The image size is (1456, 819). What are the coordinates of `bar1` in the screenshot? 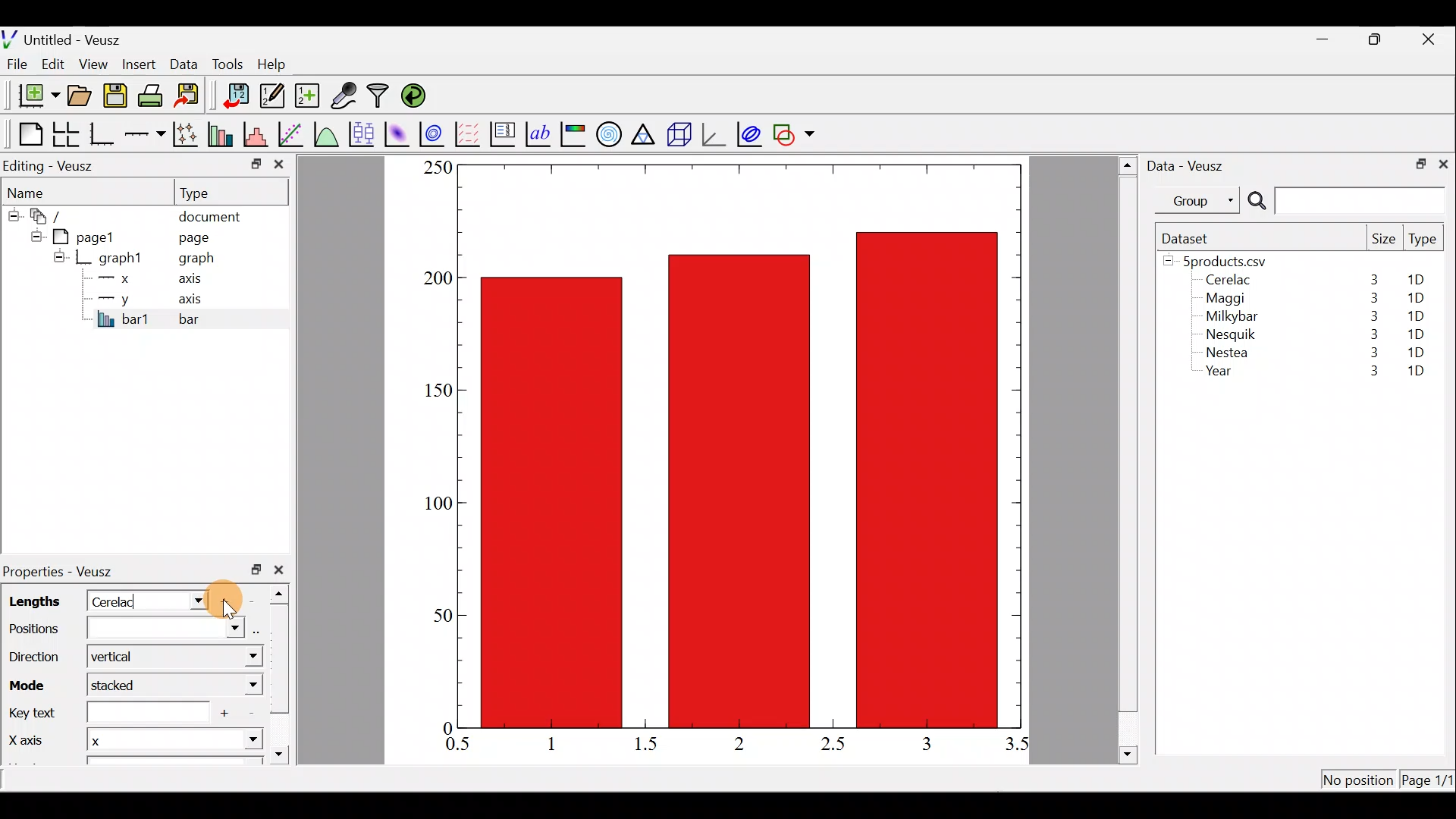 It's located at (124, 318).